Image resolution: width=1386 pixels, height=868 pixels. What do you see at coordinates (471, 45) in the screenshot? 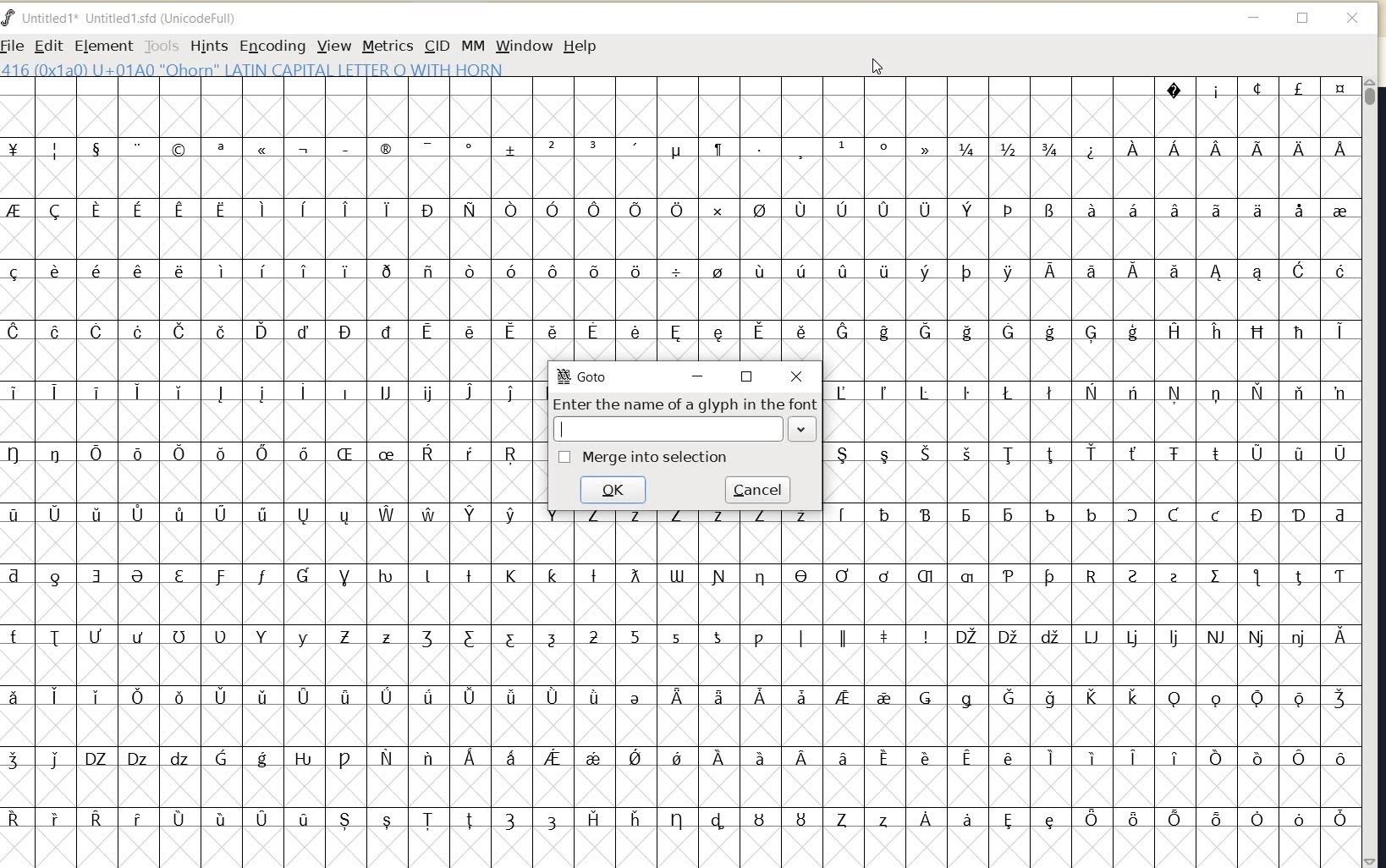
I see `MM` at bounding box center [471, 45].